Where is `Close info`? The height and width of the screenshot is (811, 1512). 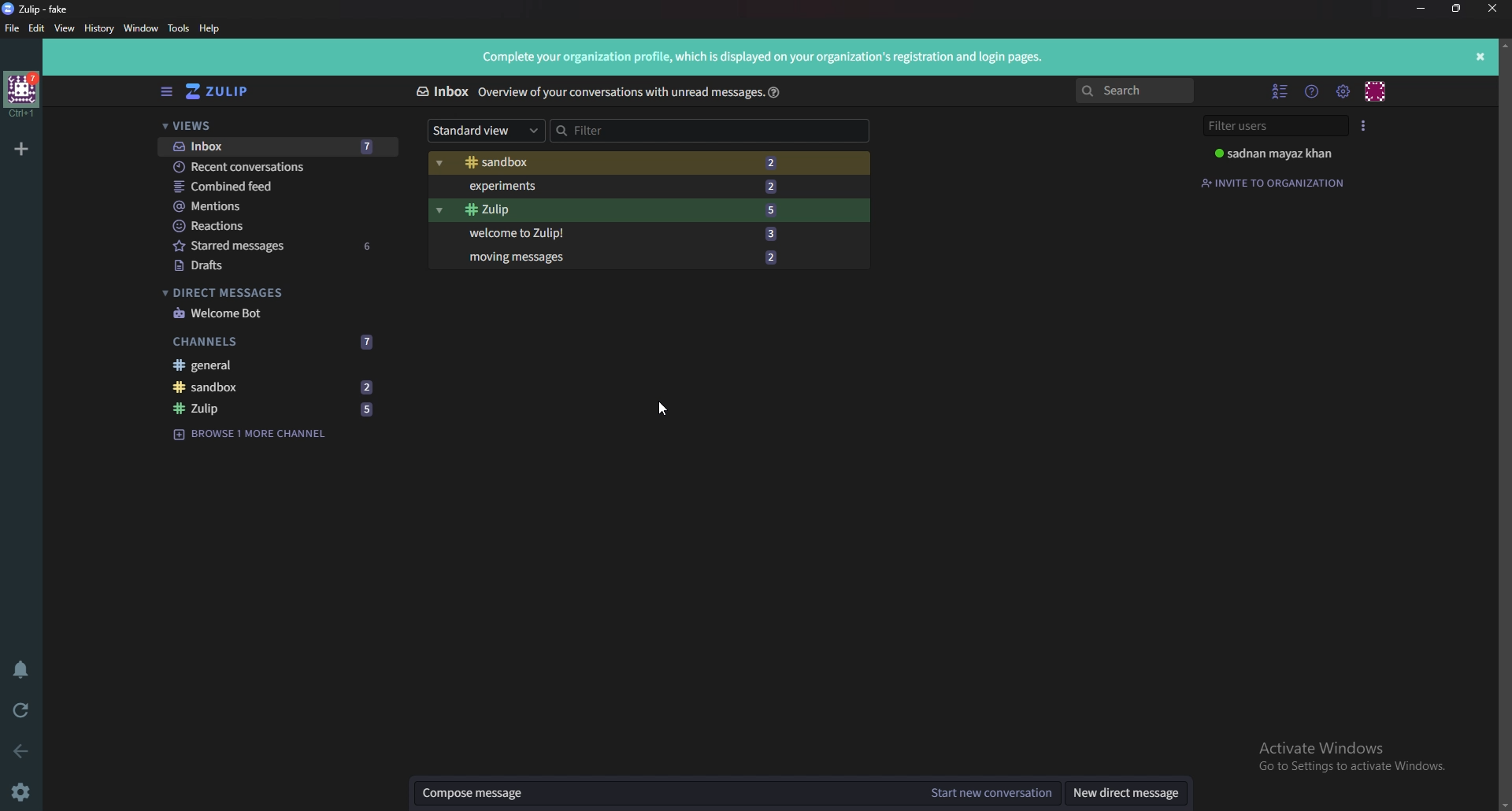 Close info is located at coordinates (1481, 55).